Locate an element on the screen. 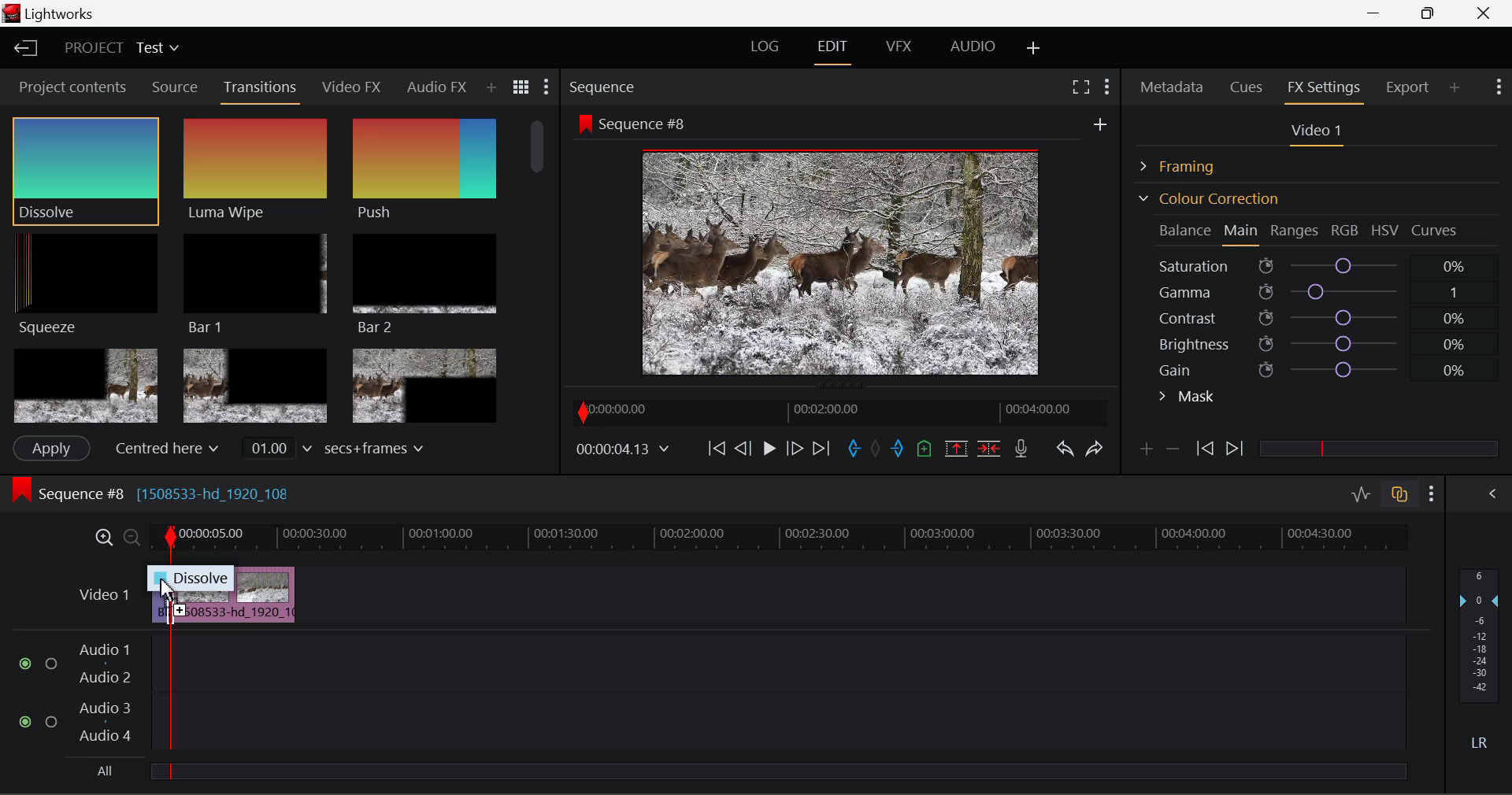 Image resolution: width=1512 pixels, height=795 pixels. Box 3 is located at coordinates (422, 386).